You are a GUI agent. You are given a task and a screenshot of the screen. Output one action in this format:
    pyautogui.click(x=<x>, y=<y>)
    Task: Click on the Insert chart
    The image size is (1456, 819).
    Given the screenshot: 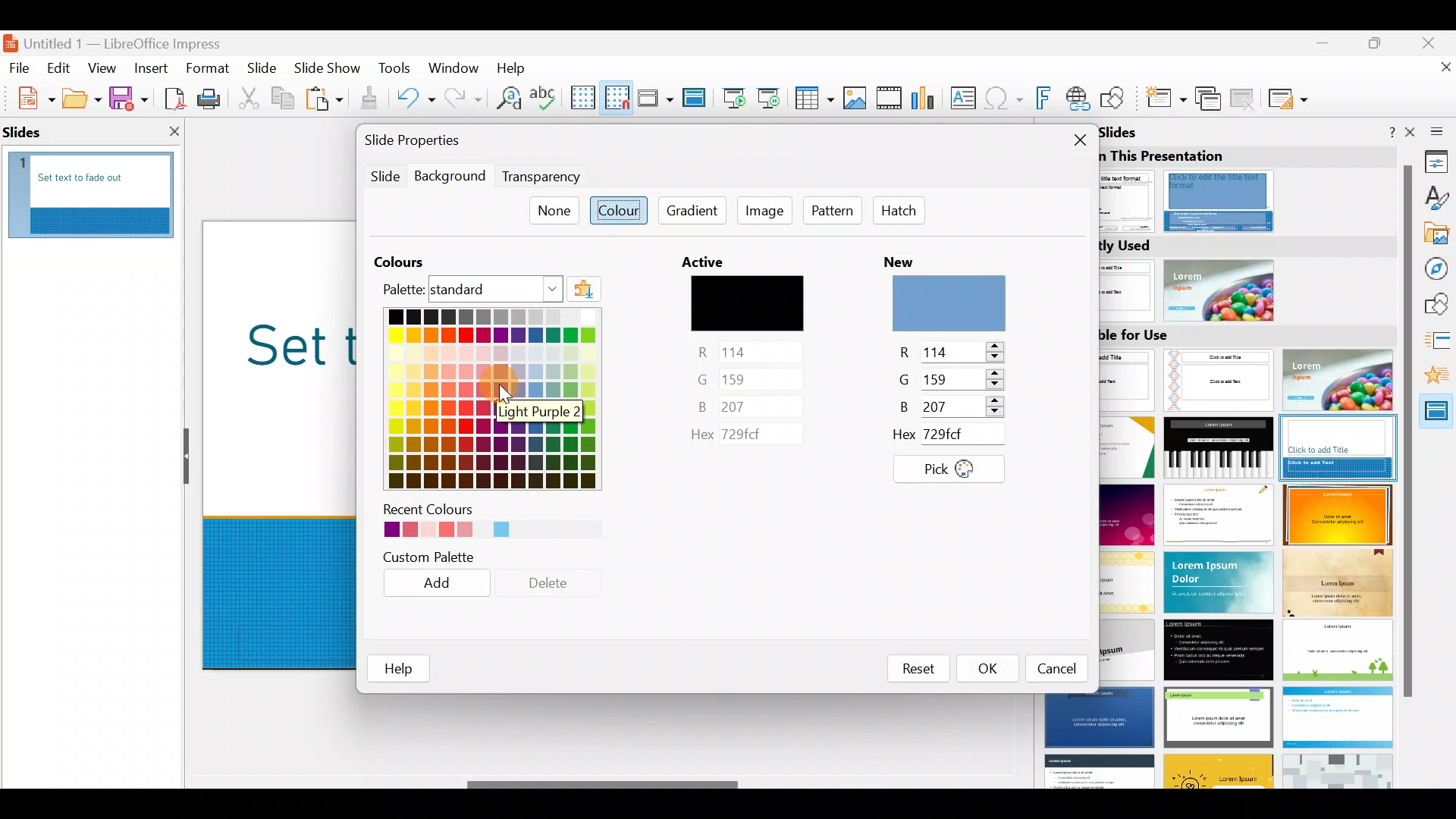 What is the action you would take?
    pyautogui.click(x=927, y=99)
    